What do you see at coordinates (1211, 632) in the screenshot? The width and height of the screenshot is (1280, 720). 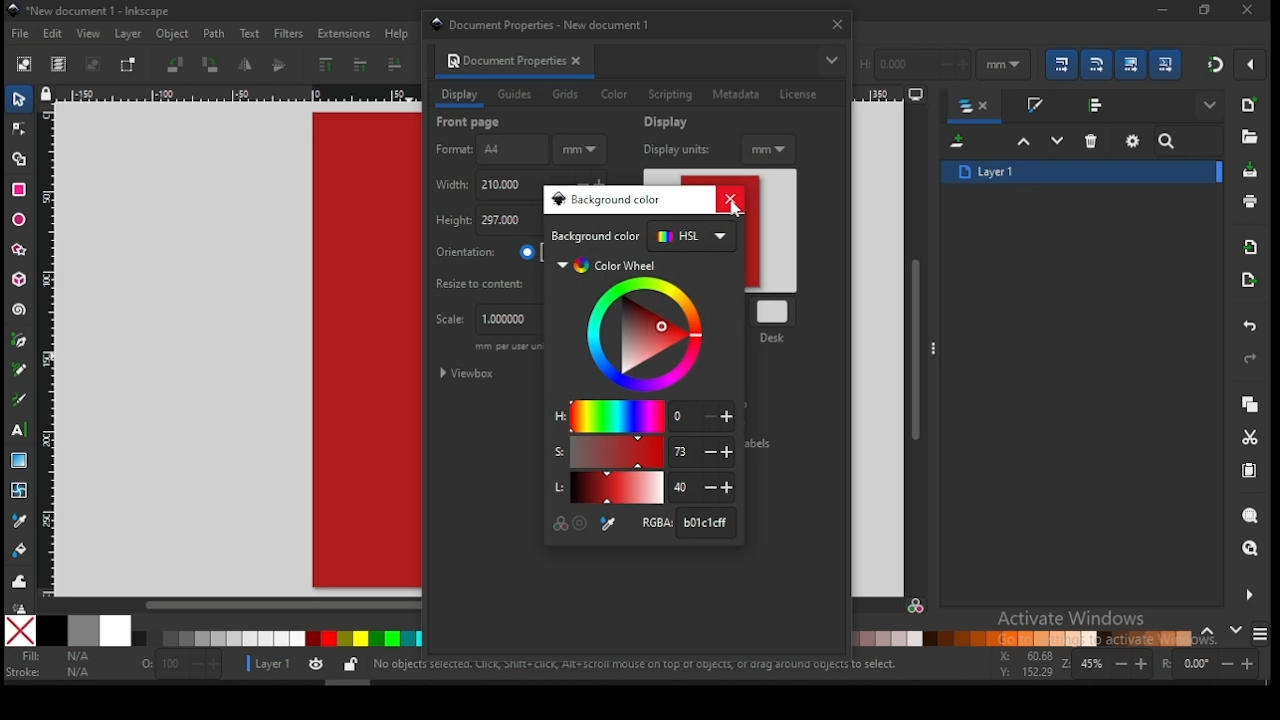 I see `previous` at bounding box center [1211, 632].